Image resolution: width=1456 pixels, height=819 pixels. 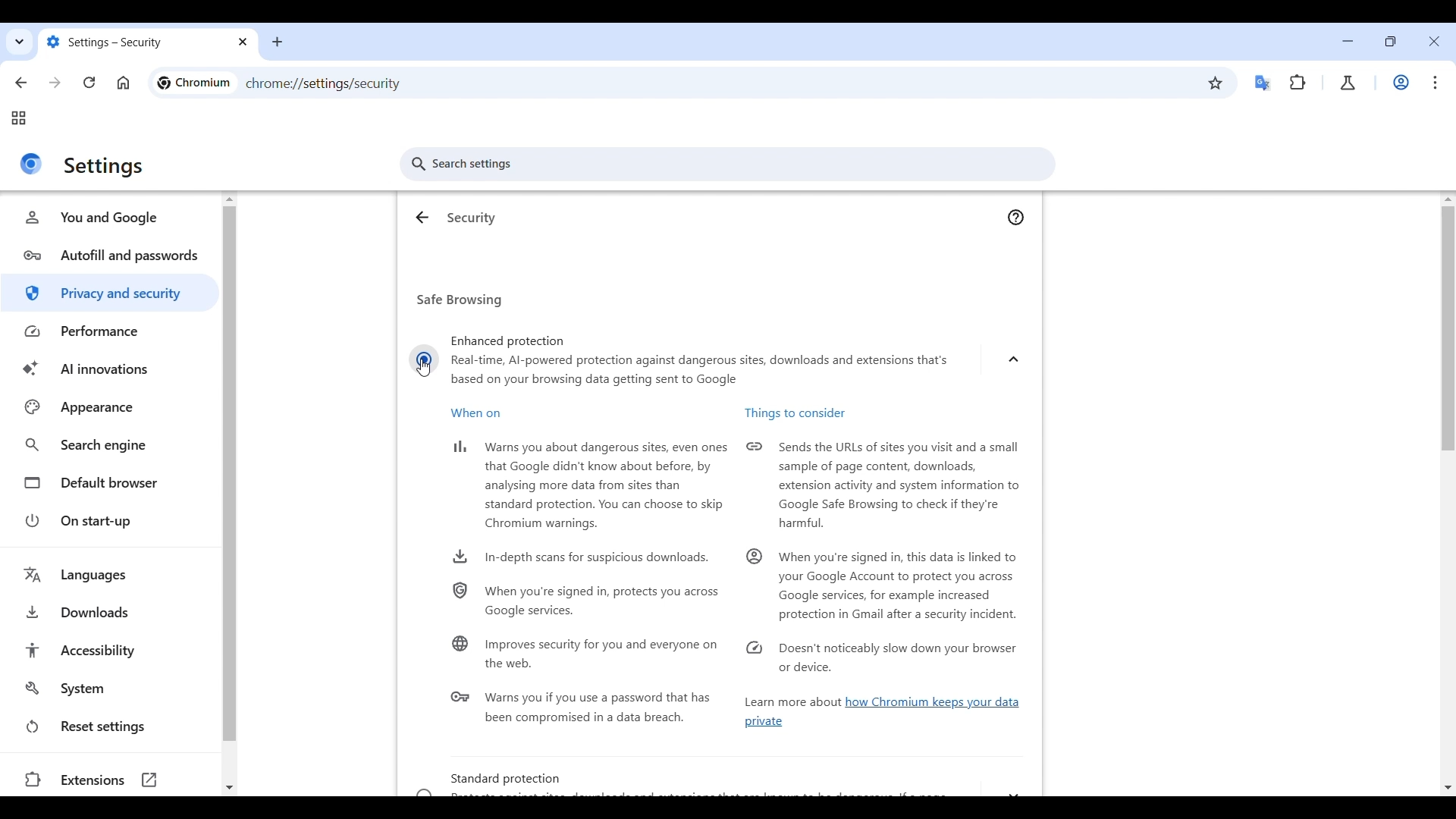 I want to click on Logo of current site, so click(x=31, y=165).